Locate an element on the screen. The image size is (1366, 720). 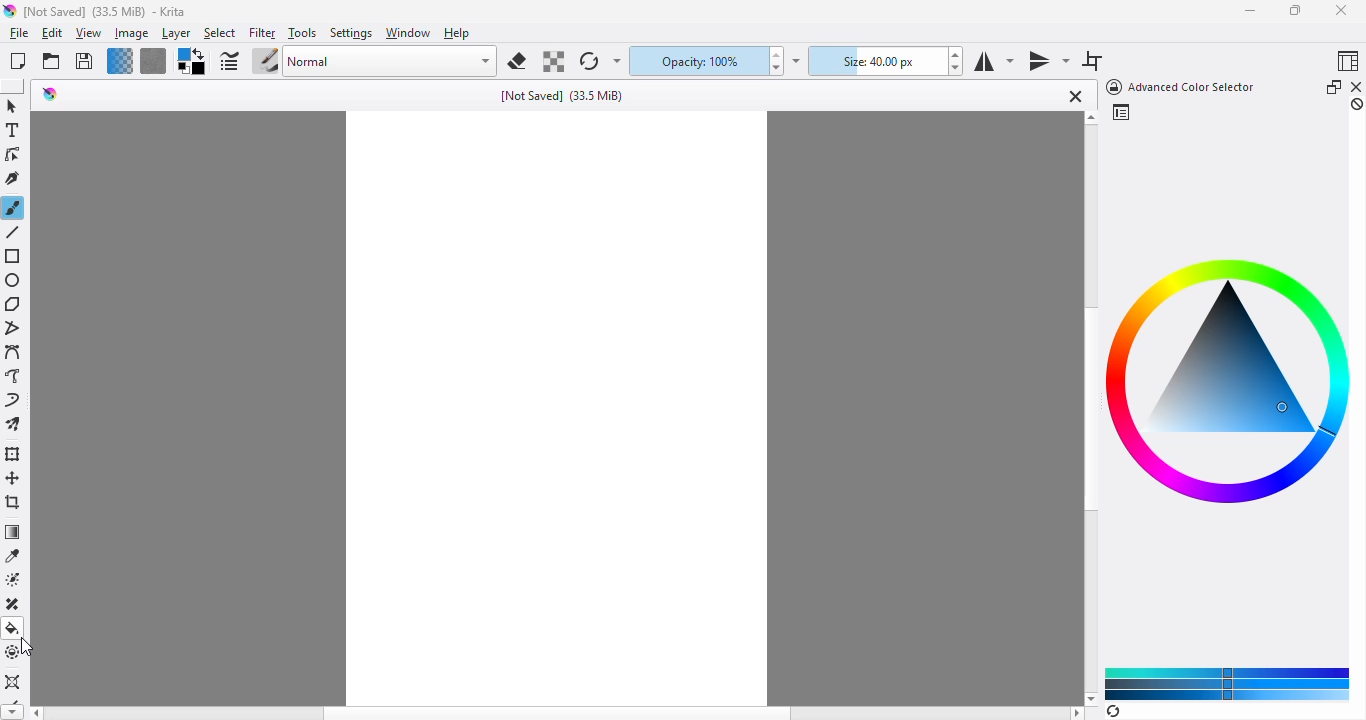
fill a selection is located at coordinates (13, 628).